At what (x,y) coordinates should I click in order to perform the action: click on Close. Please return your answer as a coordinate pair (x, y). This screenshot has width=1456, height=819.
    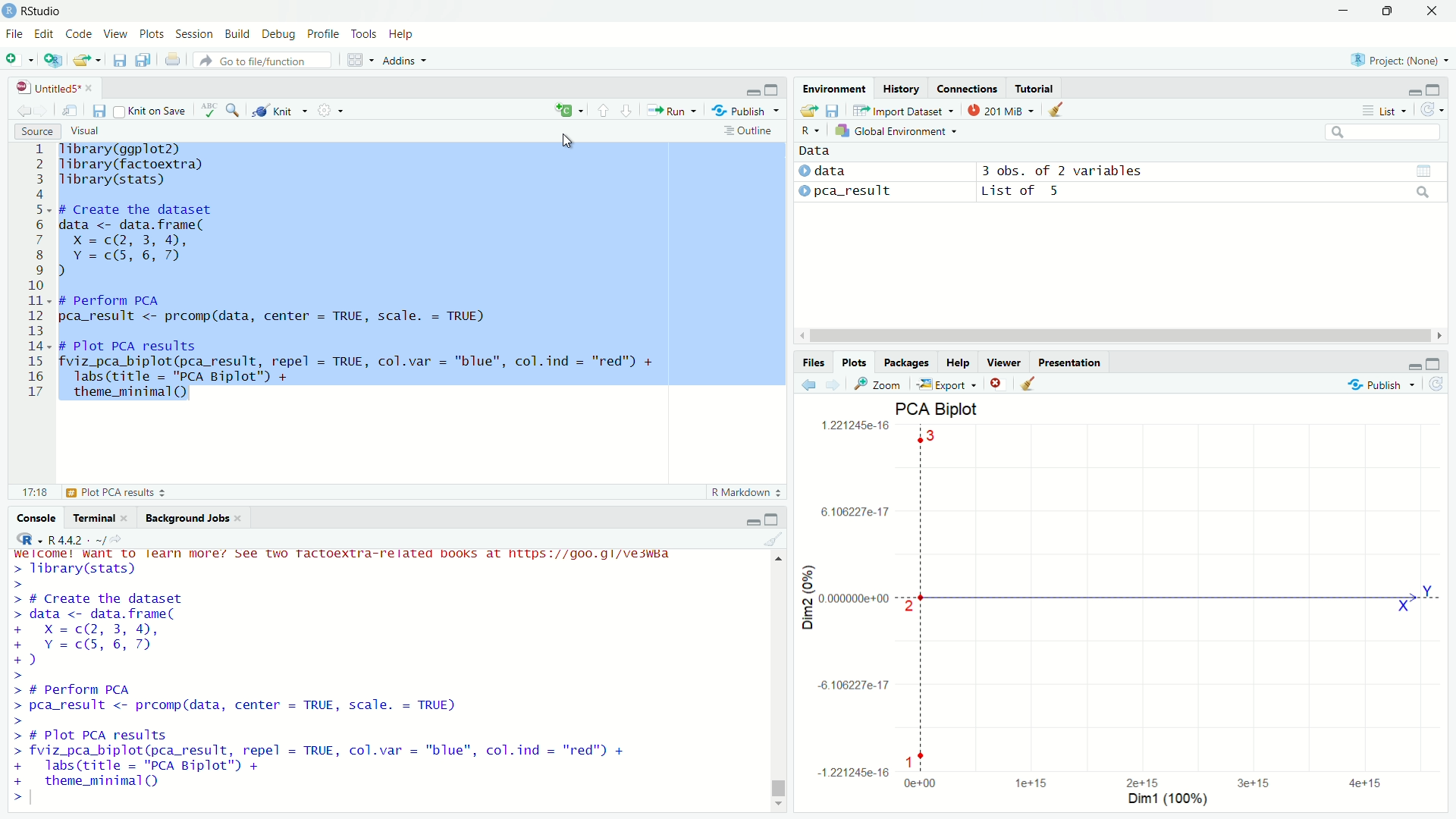
    Looking at the image, I should click on (1432, 11).